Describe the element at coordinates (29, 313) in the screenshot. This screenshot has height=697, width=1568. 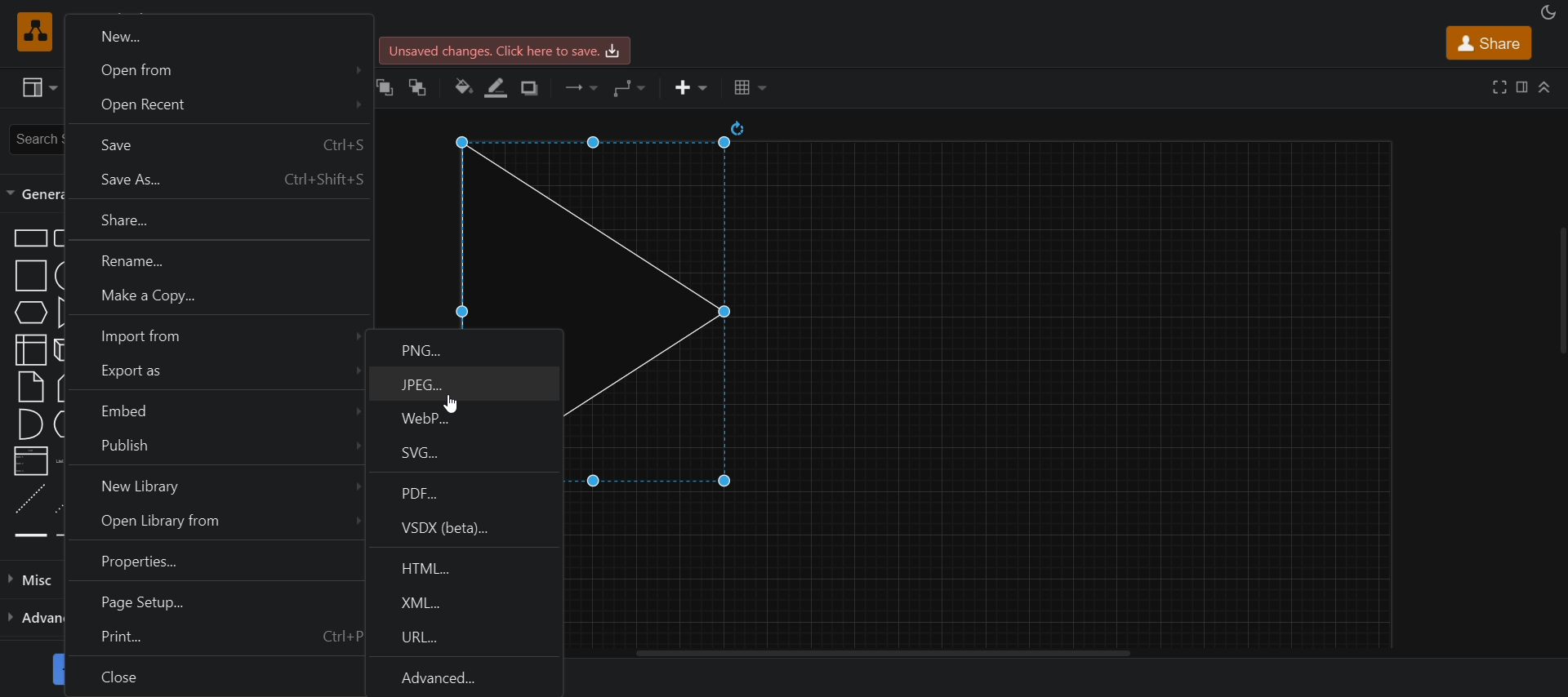
I see `hexagon` at that location.